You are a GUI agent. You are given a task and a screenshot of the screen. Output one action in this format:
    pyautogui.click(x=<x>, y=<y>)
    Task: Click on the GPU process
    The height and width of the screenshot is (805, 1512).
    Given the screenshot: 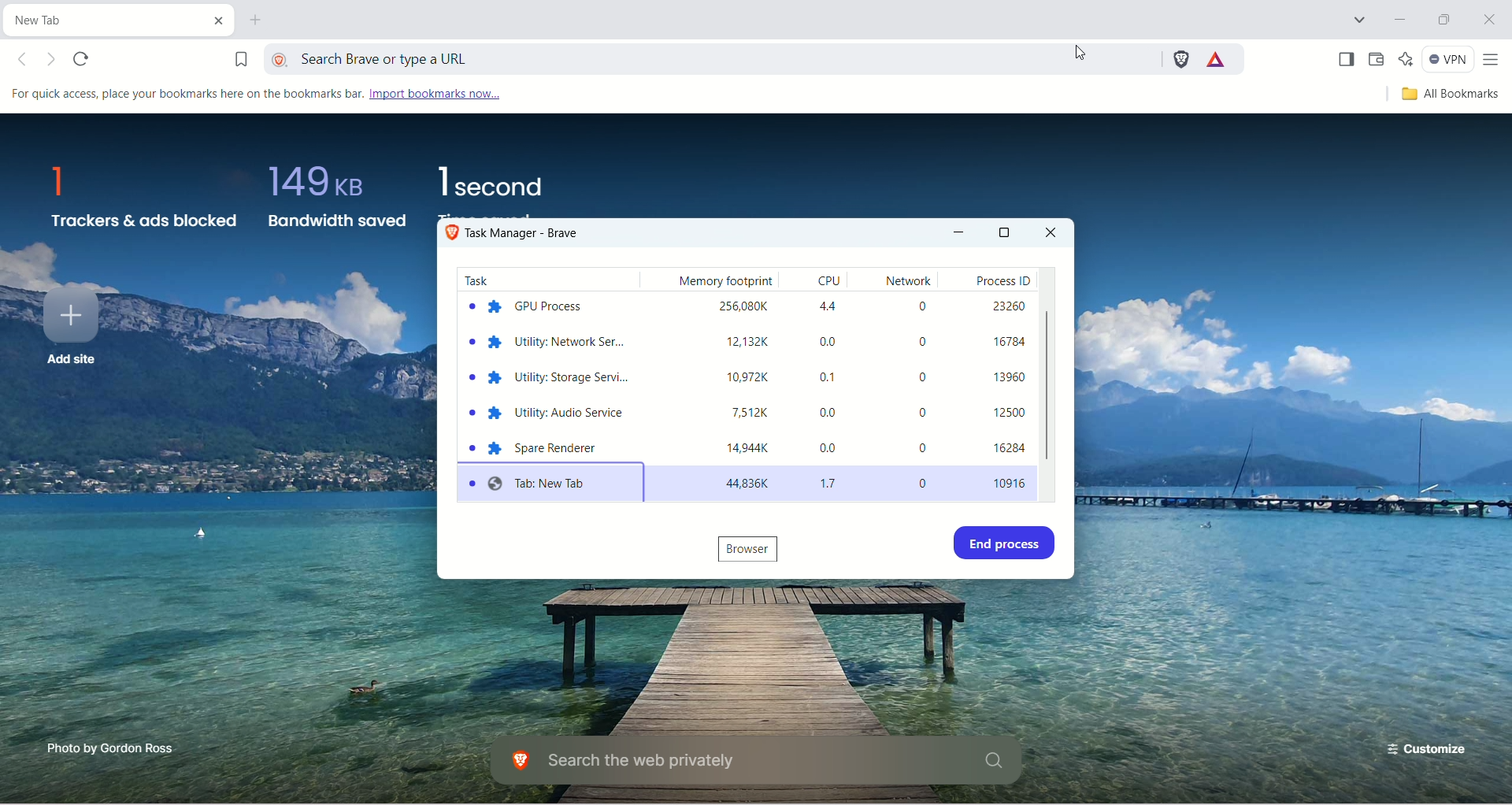 What is the action you would take?
    pyautogui.click(x=530, y=306)
    